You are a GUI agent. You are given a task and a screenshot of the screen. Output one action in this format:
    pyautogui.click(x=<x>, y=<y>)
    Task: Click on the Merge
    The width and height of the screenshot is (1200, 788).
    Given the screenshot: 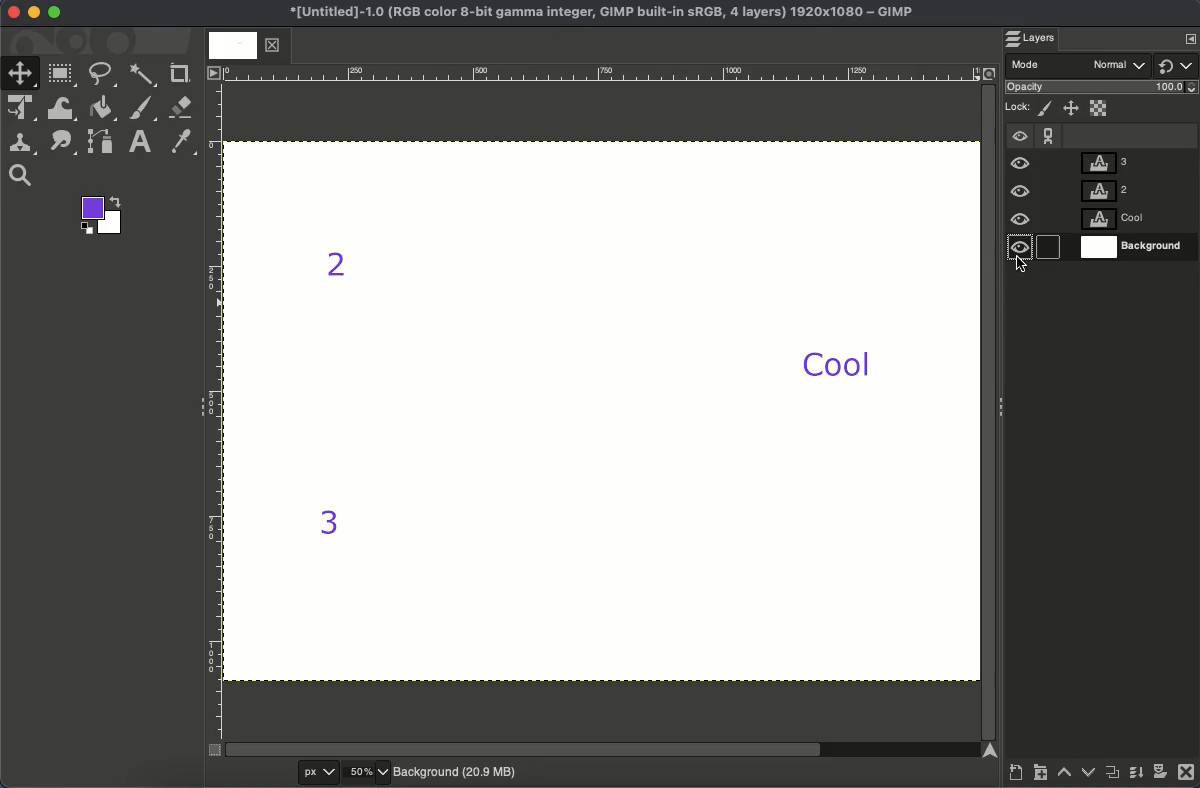 What is the action you would take?
    pyautogui.click(x=1135, y=777)
    